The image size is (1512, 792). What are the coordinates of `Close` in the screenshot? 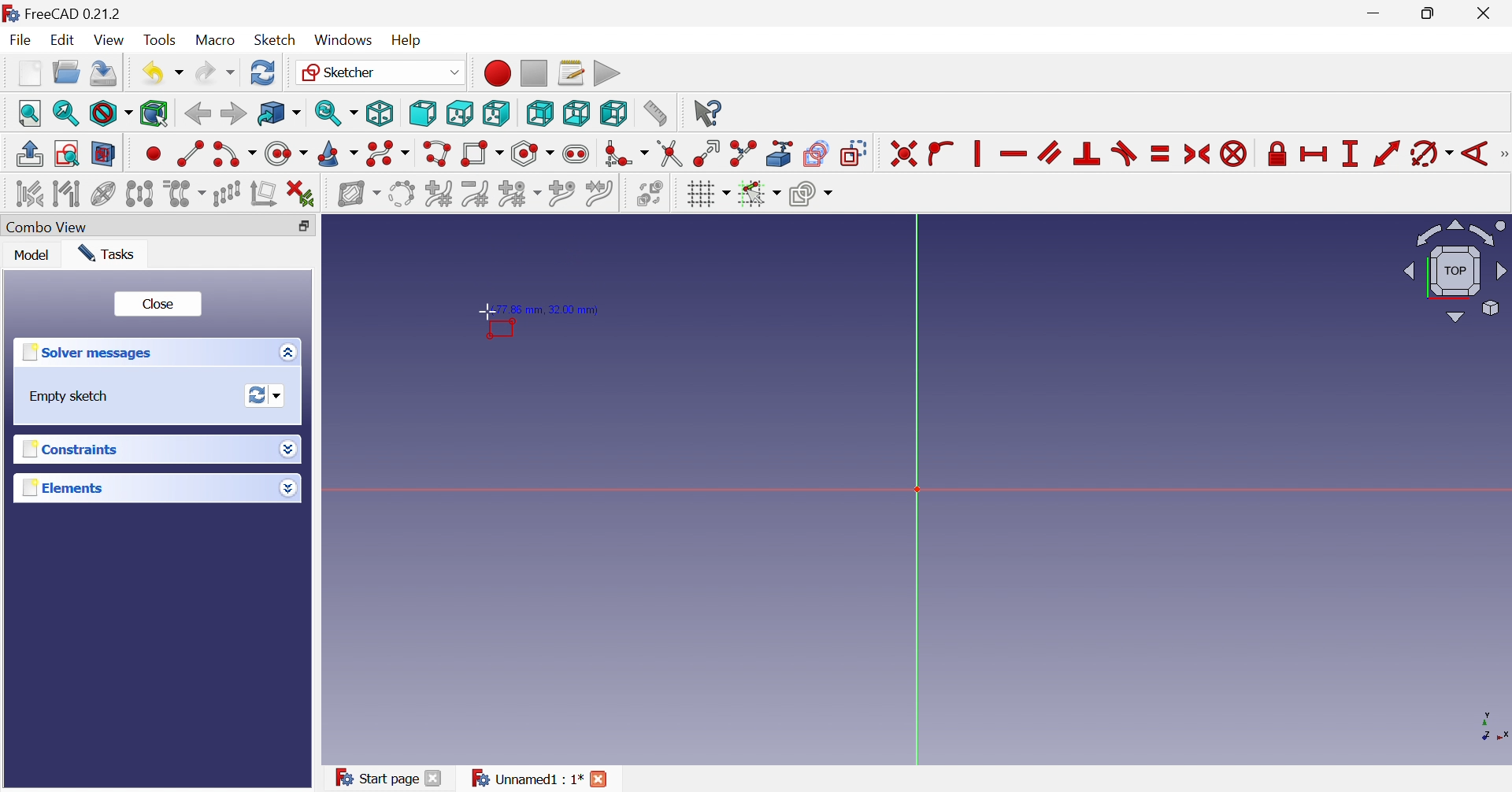 It's located at (600, 779).